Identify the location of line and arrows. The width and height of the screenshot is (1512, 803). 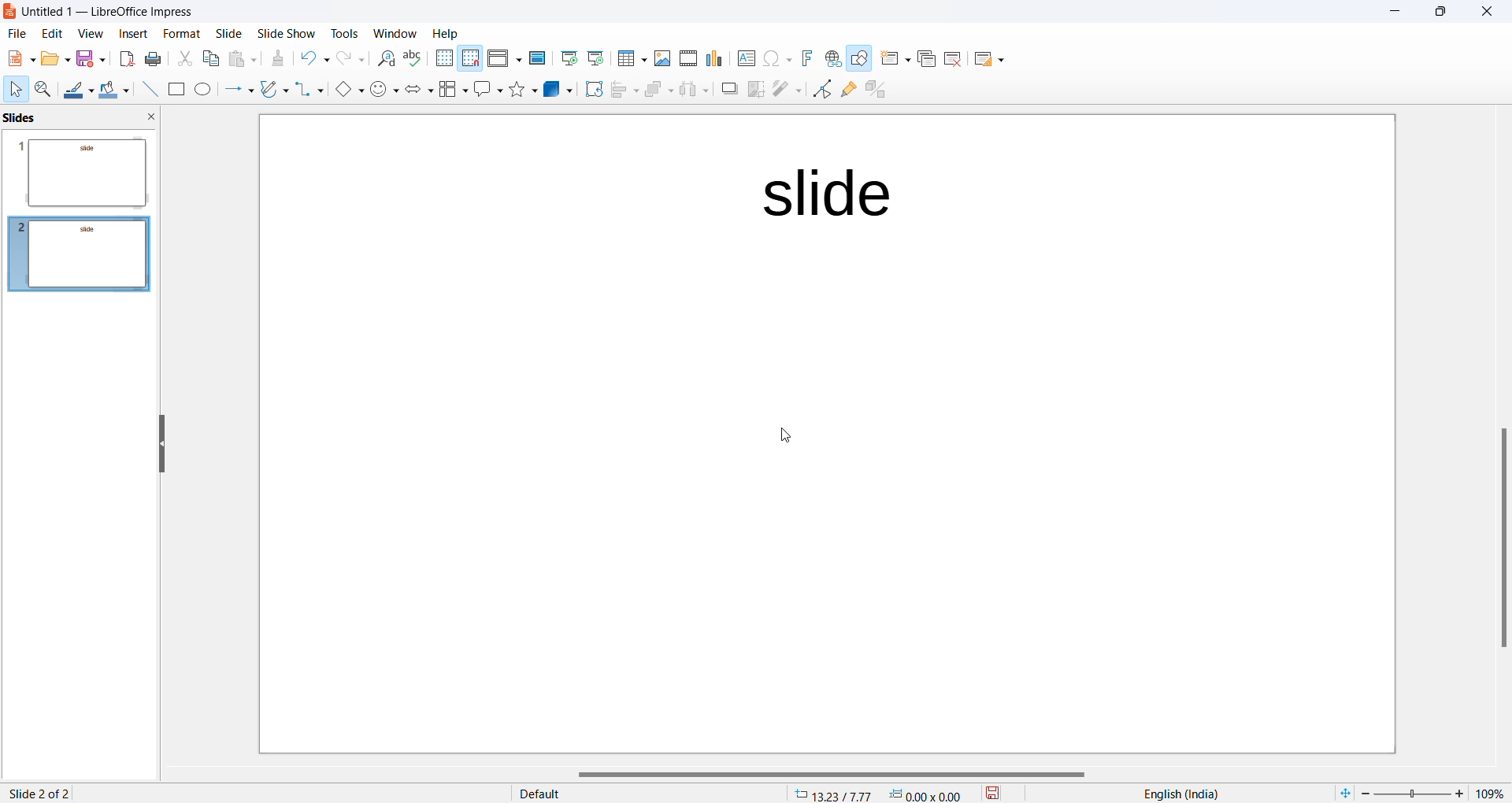
(235, 90).